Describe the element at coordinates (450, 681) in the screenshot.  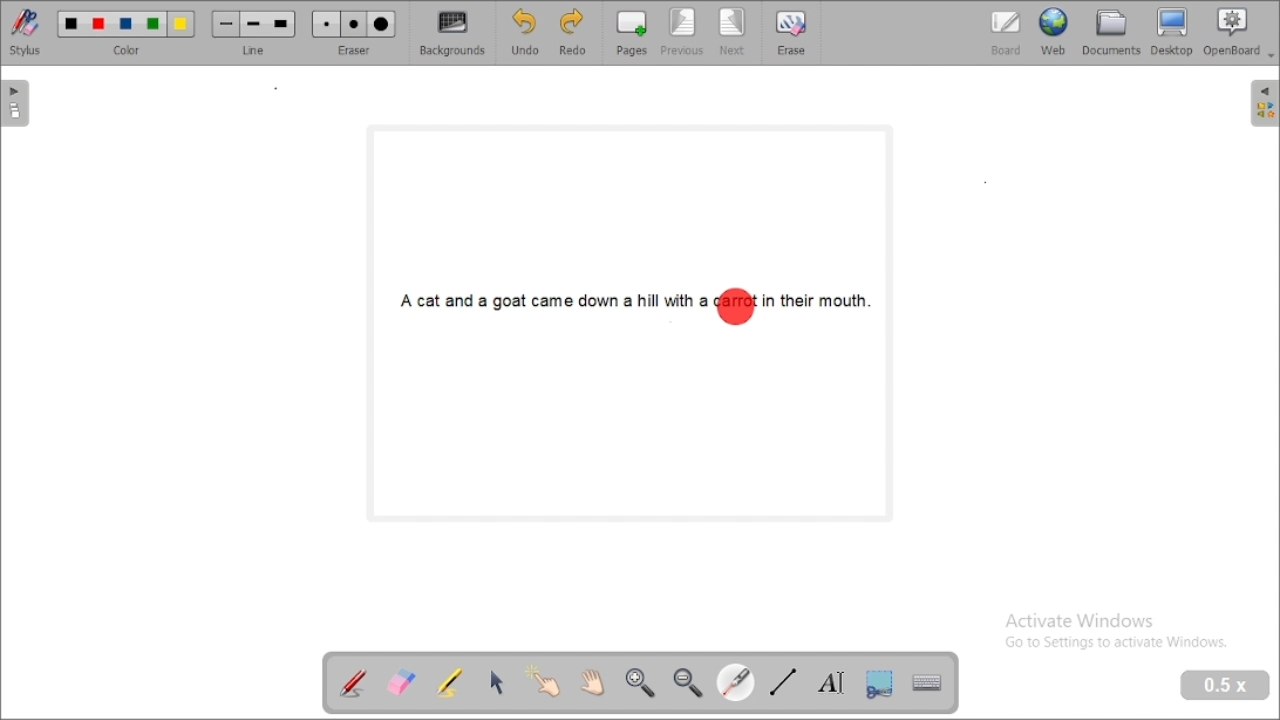
I see `highlight` at that location.